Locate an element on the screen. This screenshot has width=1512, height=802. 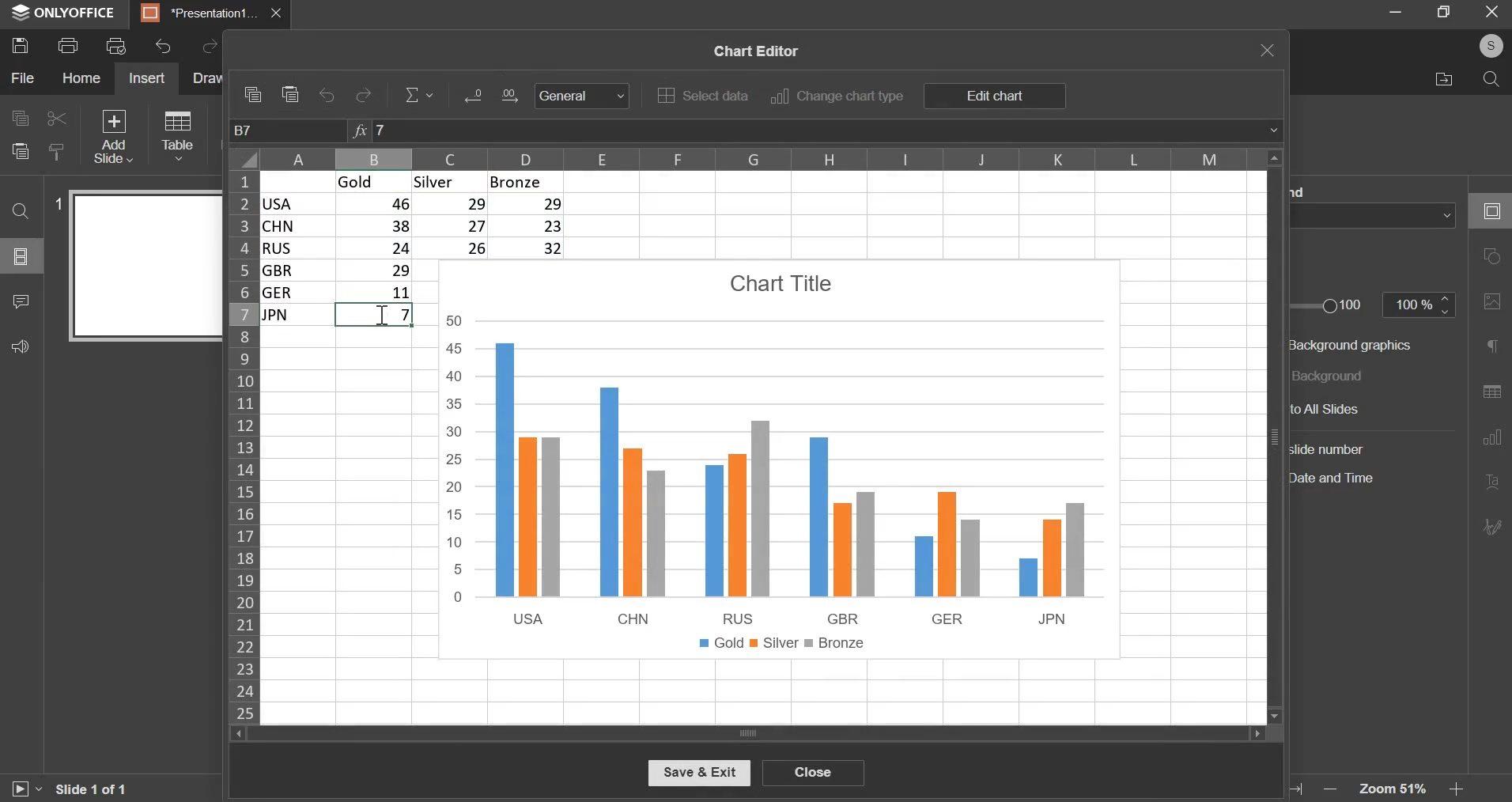
copy is located at coordinates (19, 119).